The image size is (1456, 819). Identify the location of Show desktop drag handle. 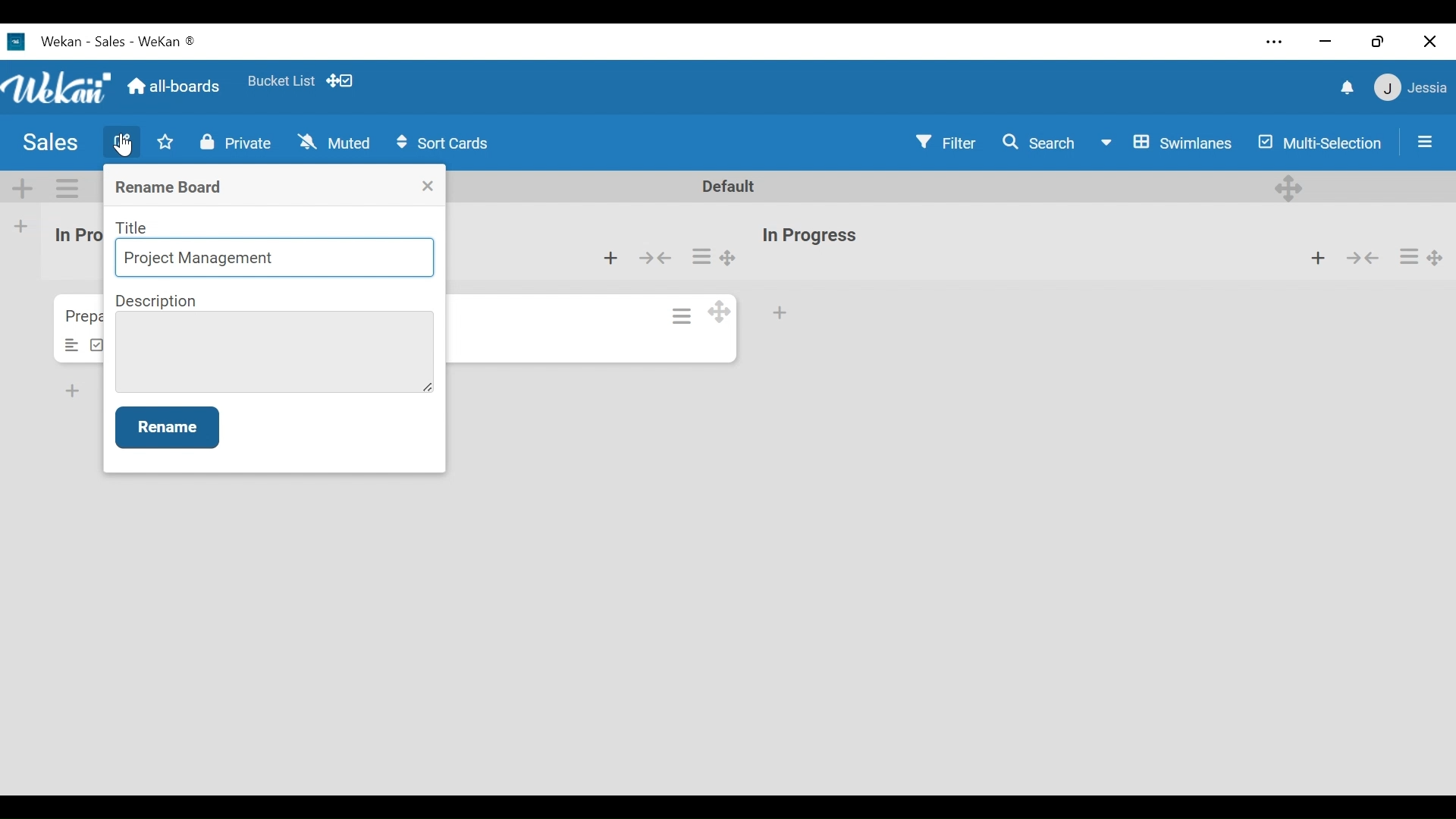
(340, 80).